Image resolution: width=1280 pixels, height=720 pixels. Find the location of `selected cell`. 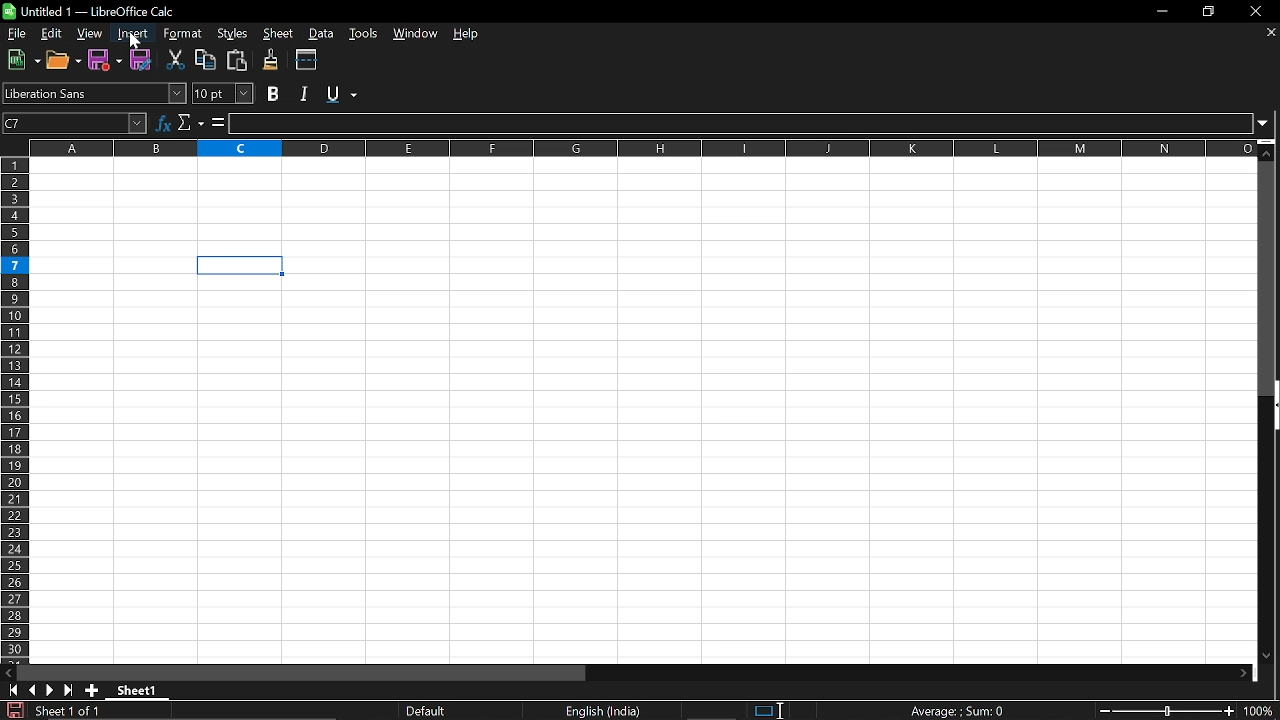

selected cell is located at coordinates (241, 266).